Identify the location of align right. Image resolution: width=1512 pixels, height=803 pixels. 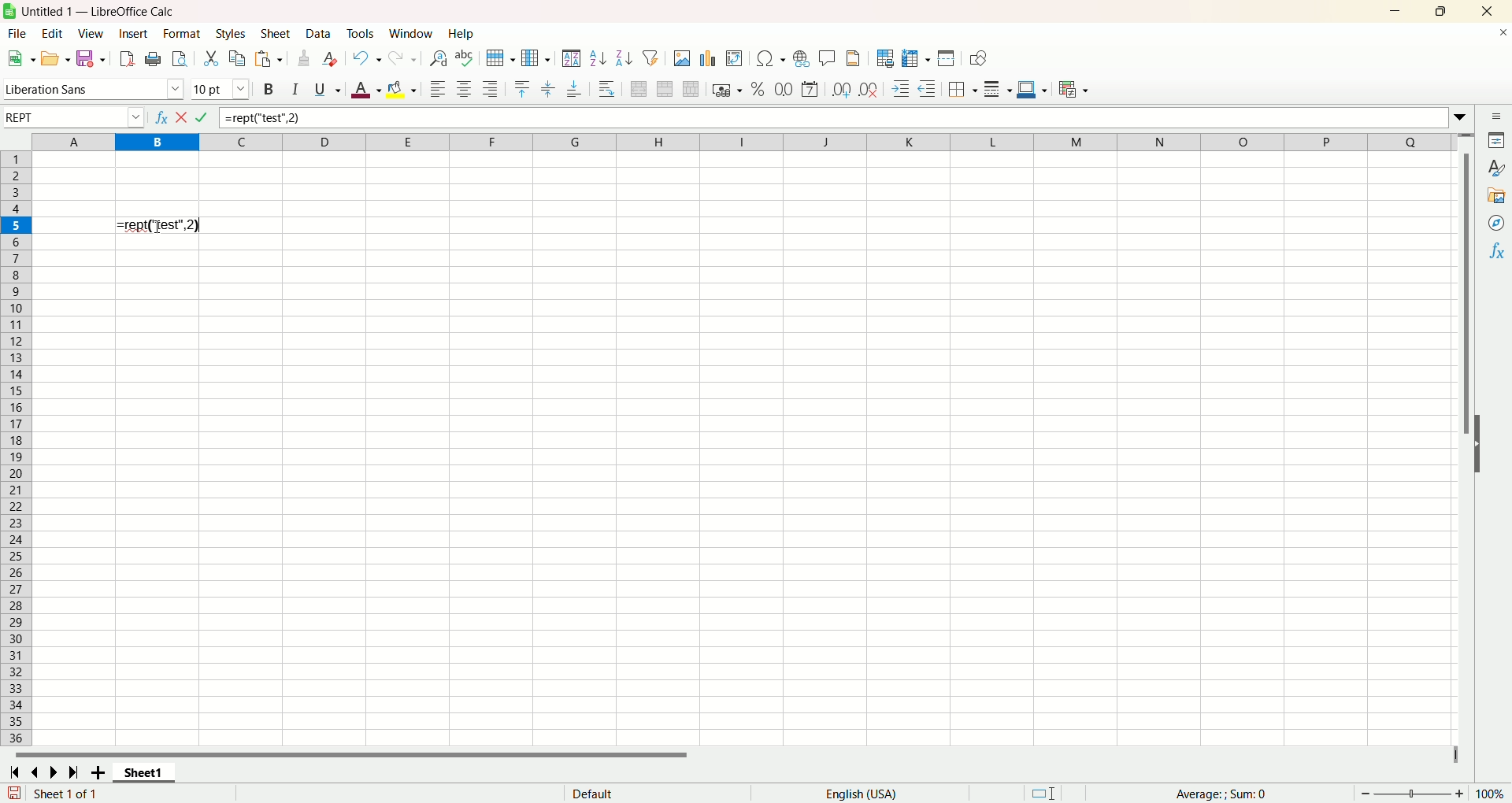
(491, 91).